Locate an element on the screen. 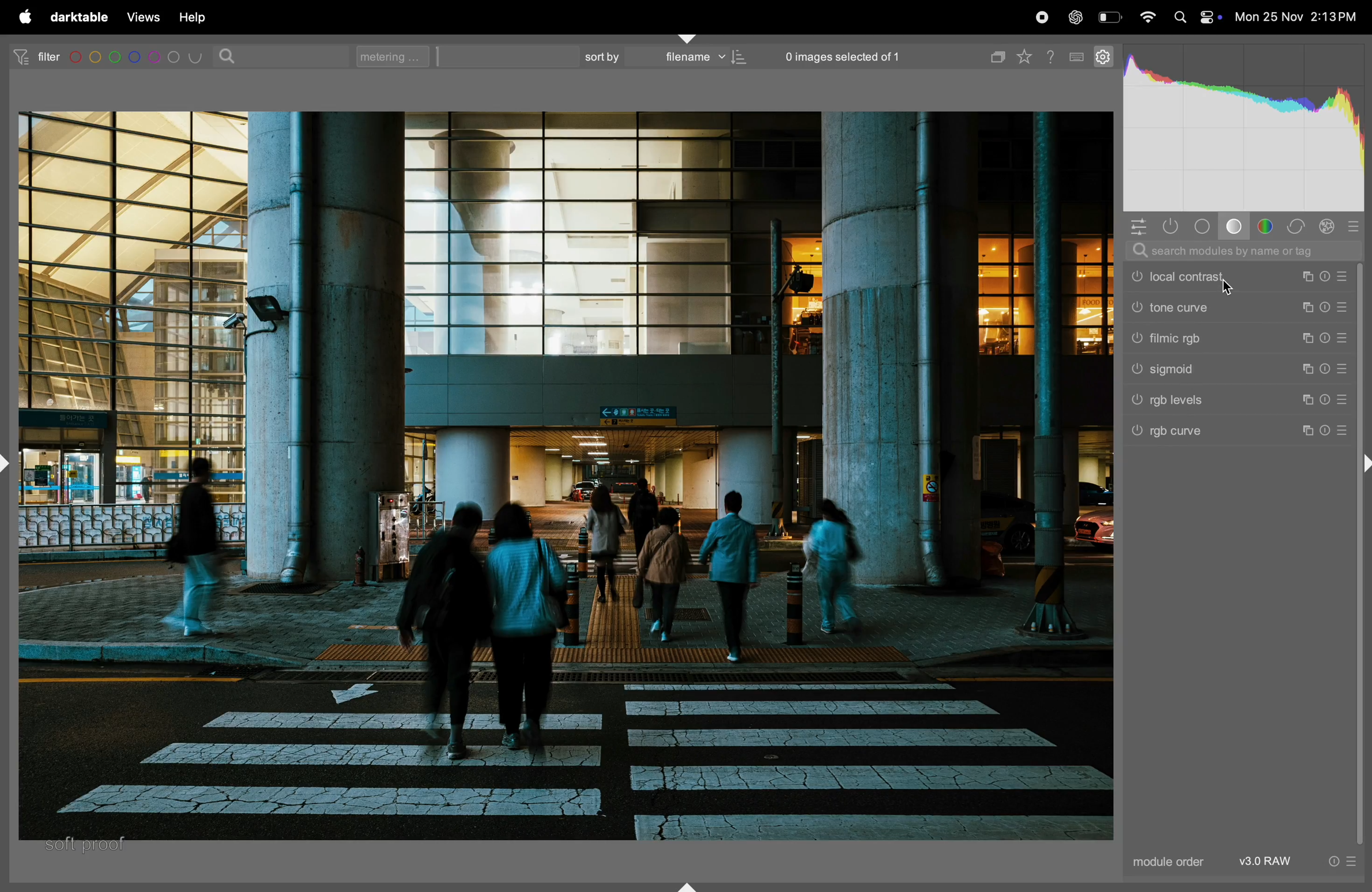 The image size is (1372, 892). local contrast switched off is located at coordinates (1136, 277).